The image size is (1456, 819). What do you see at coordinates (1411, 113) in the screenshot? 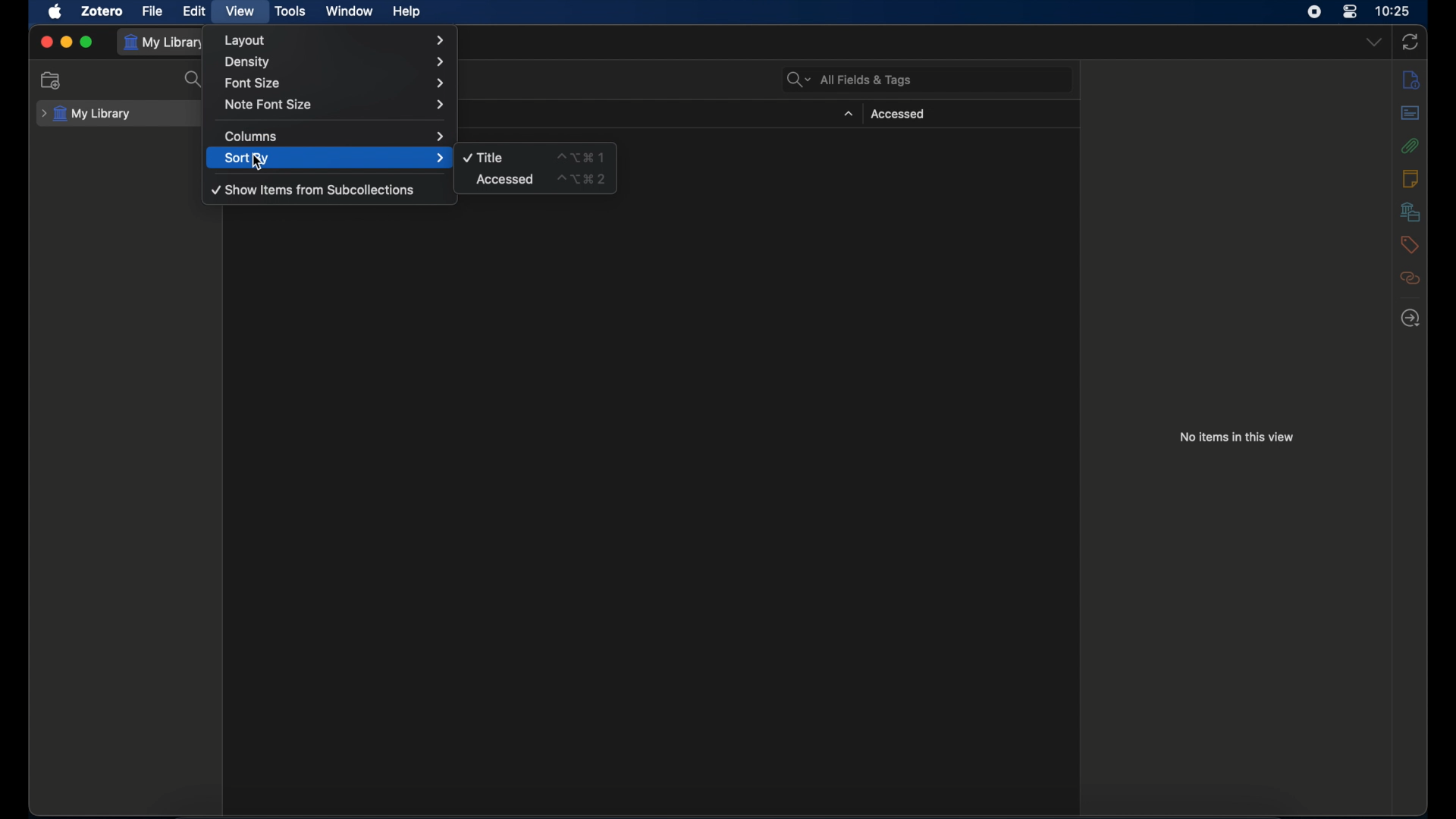
I see `abstract` at bounding box center [1411, 113].